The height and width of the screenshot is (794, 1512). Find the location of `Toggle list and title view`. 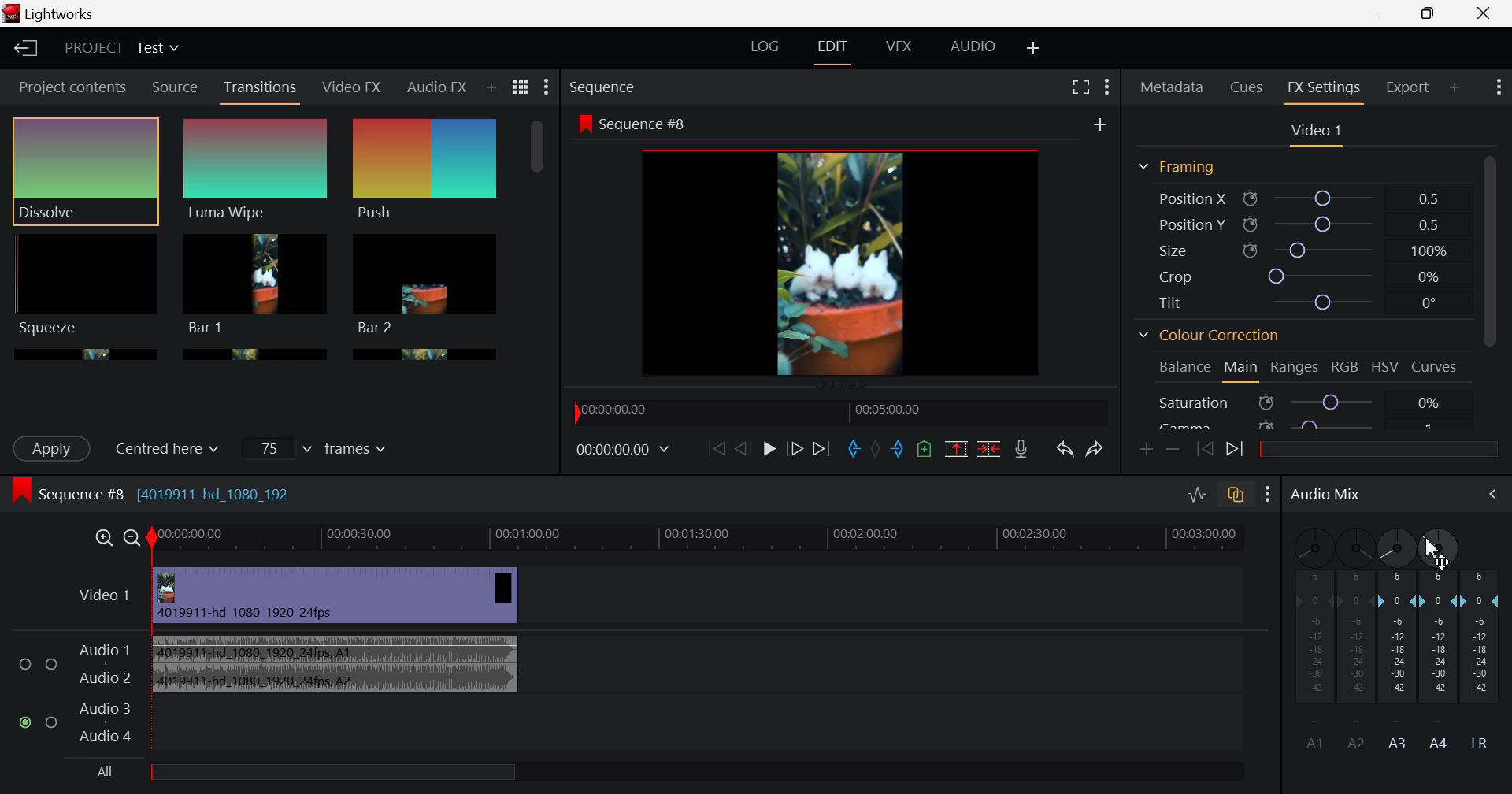

Toggle list and title view is located at coordinates (523, 88).